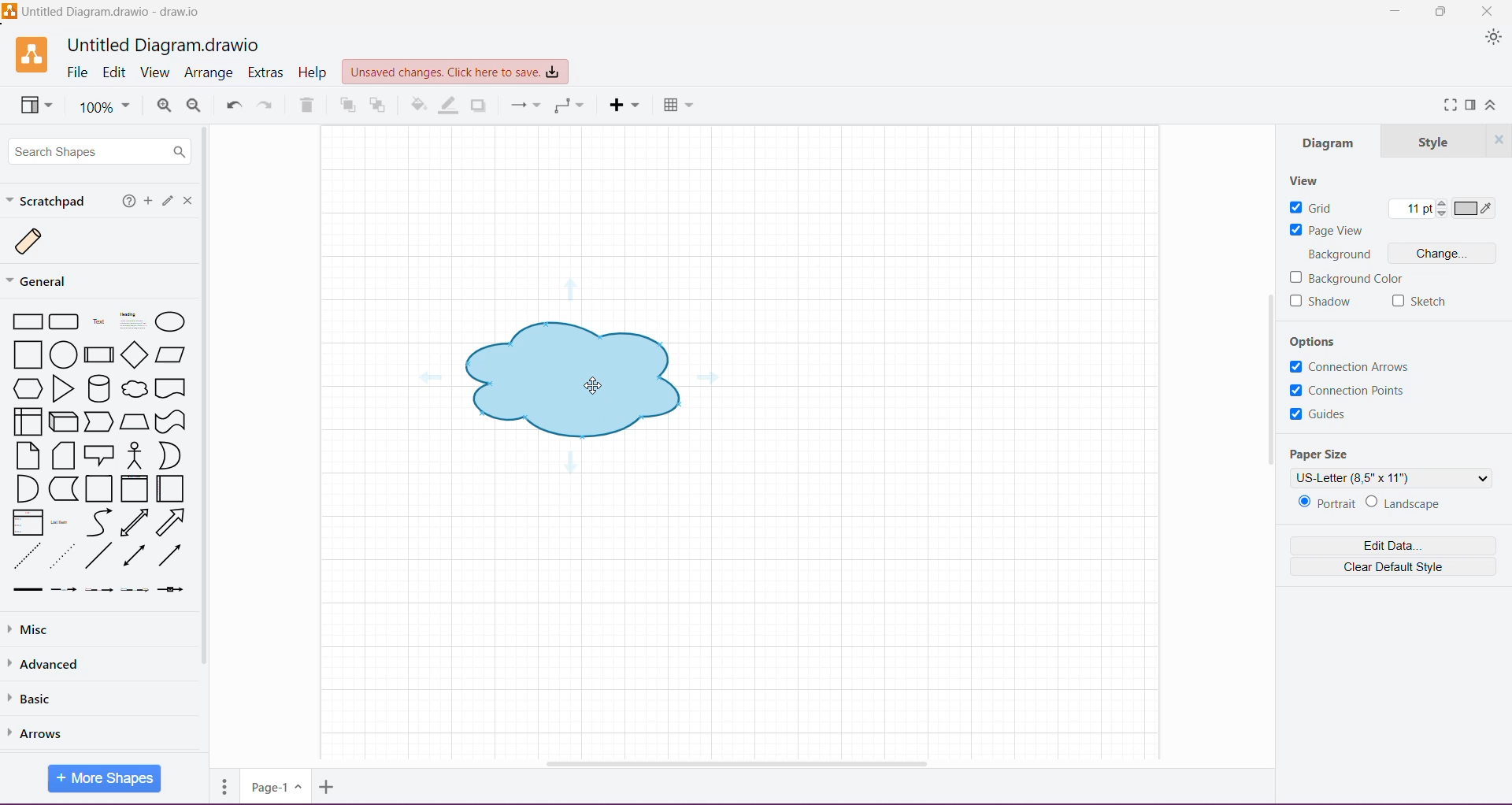 The image size is (1512, 805). I want to click on Insert, so click(625, 106).